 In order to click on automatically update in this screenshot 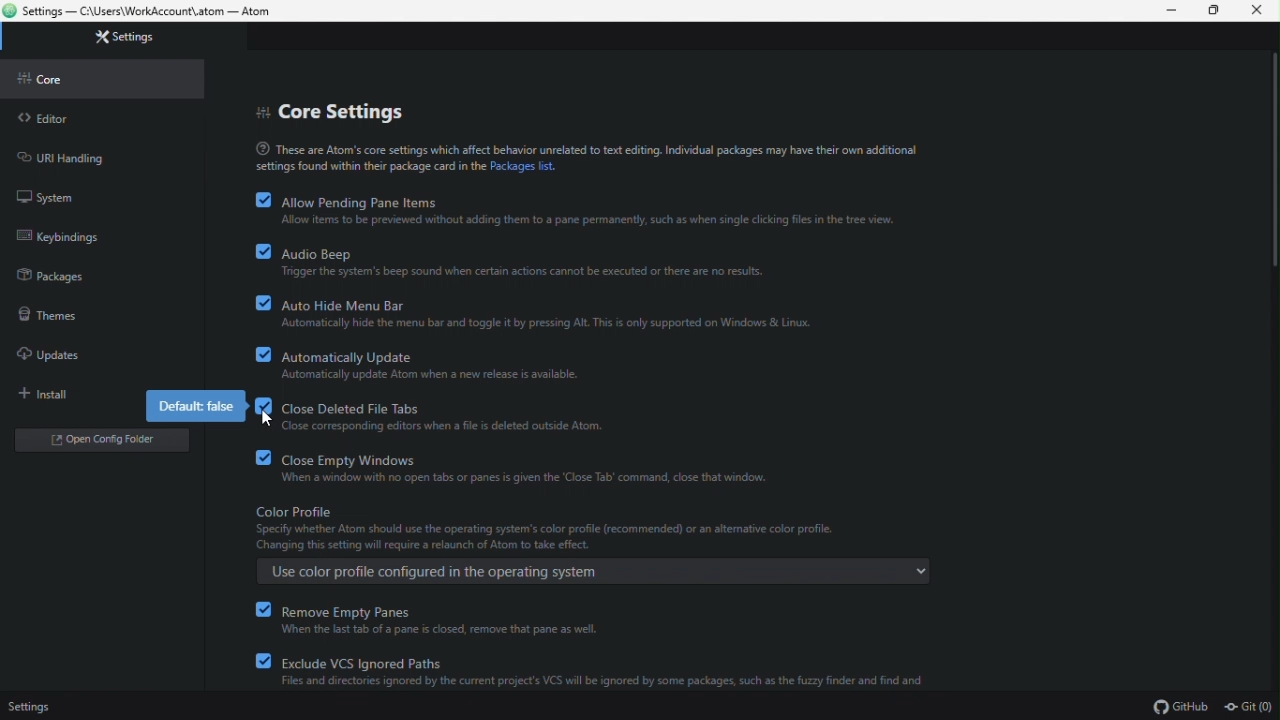, I will do `click(435, 365)`.